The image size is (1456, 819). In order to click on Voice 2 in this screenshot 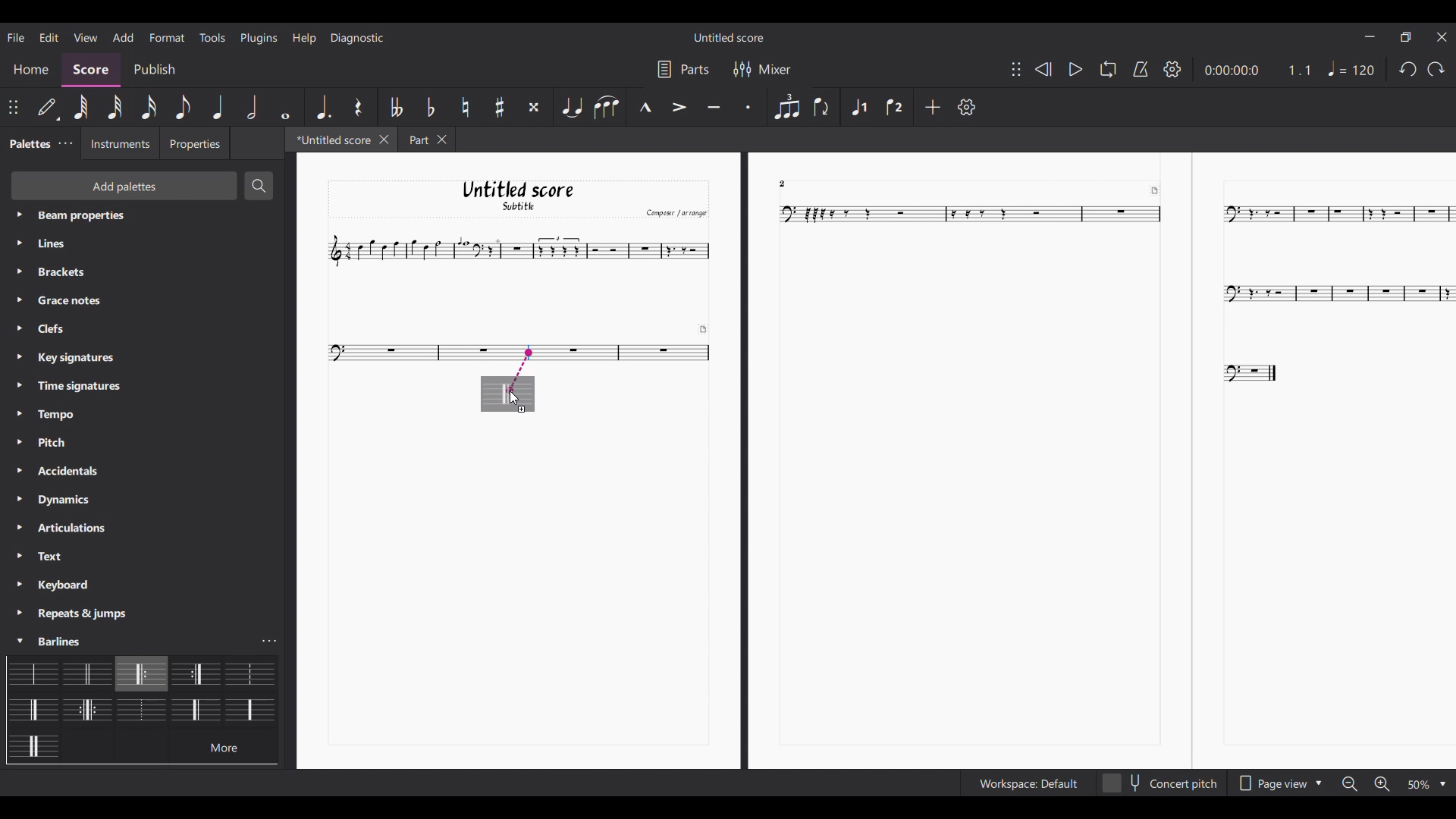, I will do `click(894, 107)`.